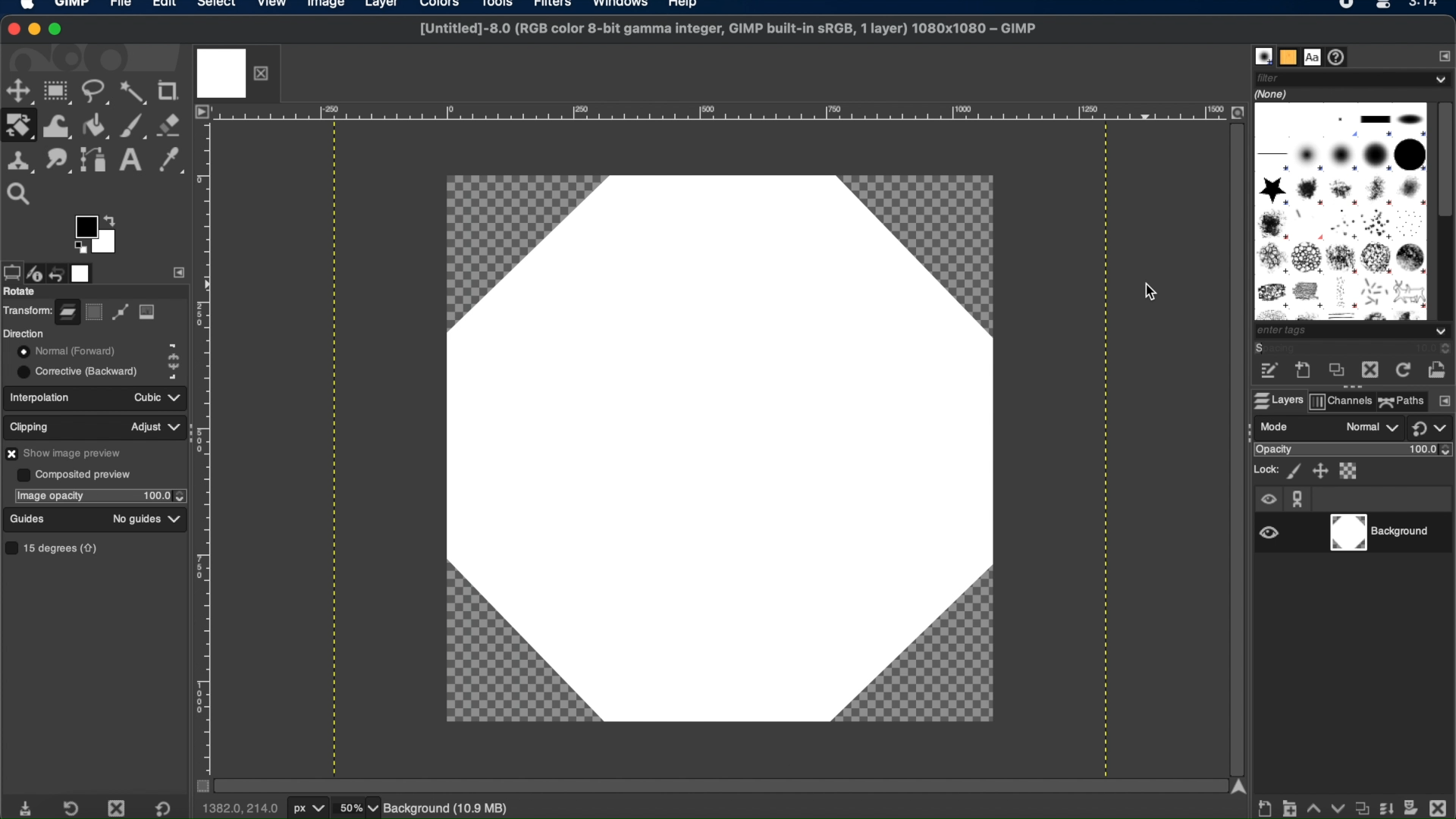 This screenshot has height=819, width=1456. I want to click on view, so click(272, 6).